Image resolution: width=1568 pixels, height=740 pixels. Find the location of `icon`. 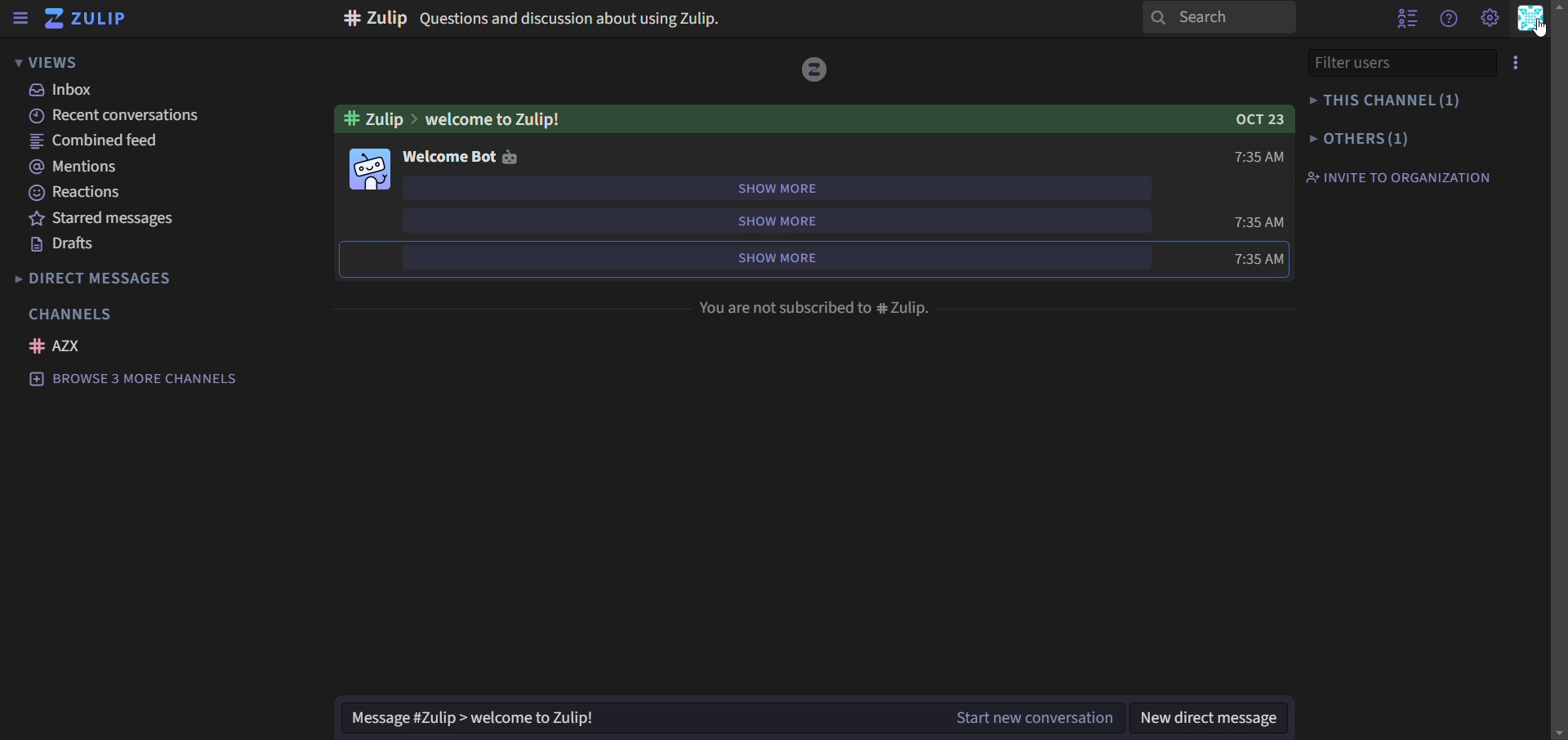

icon is located at coordinates (814, 68).